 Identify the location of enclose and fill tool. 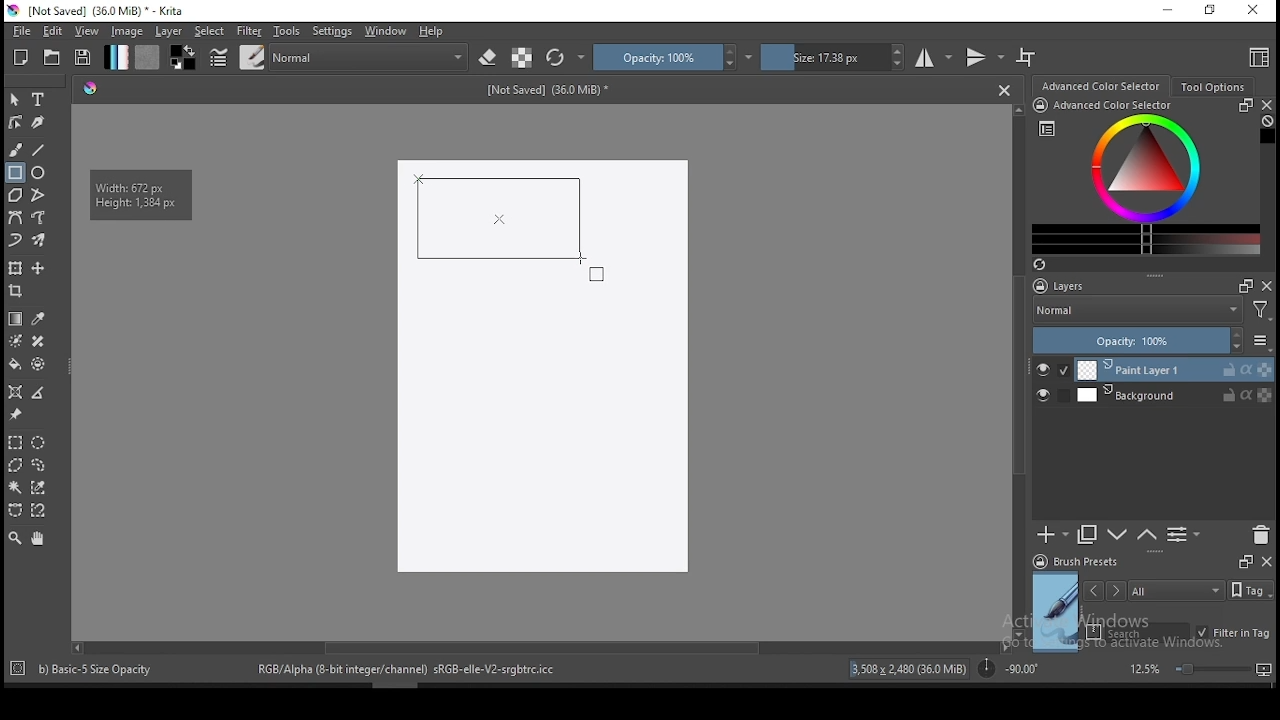
(38, 364).